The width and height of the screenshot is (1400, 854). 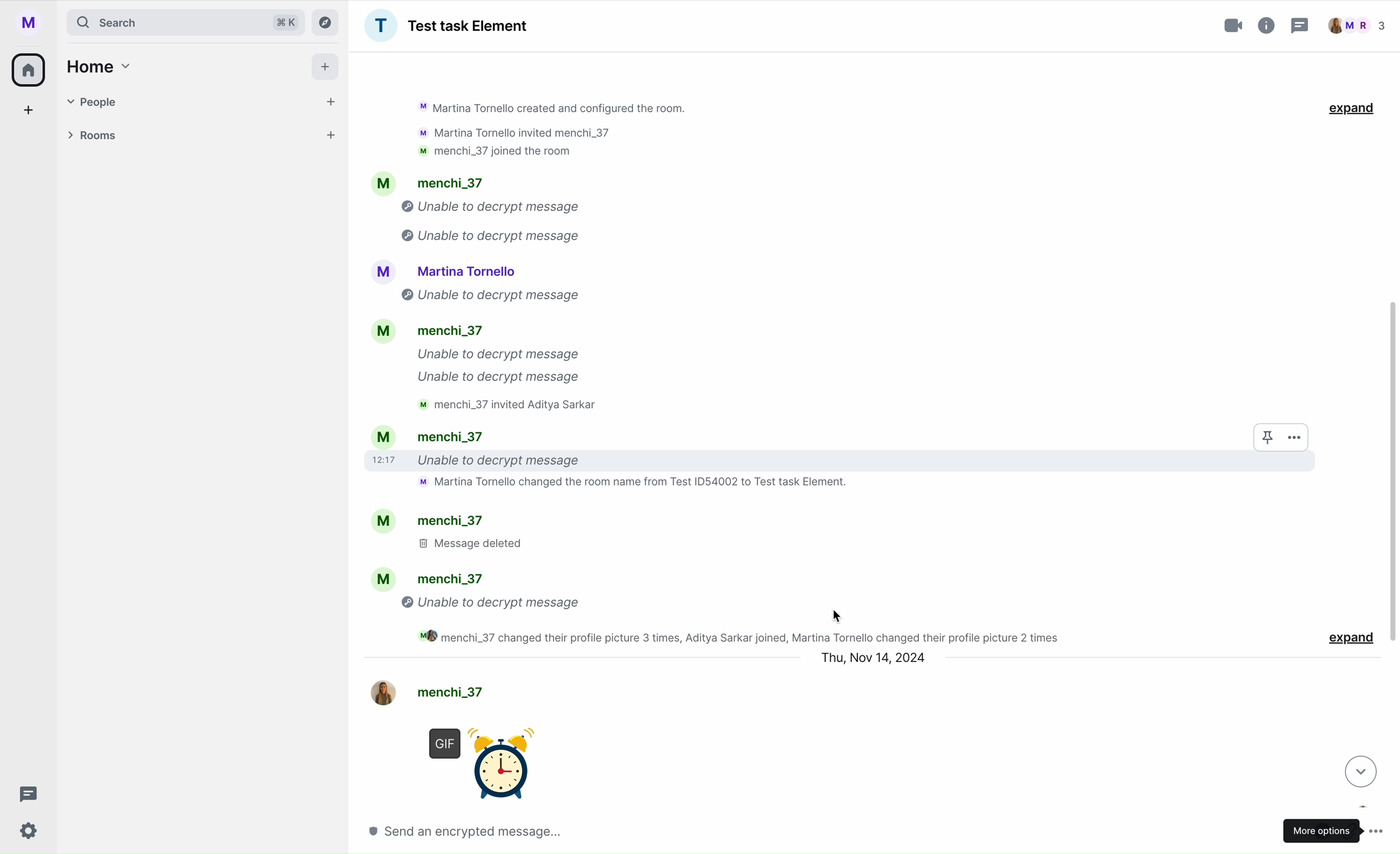 What do you see at coordinates (185, 22) in the screenshot?
I see `search tab` at bounding box center [185, 22].